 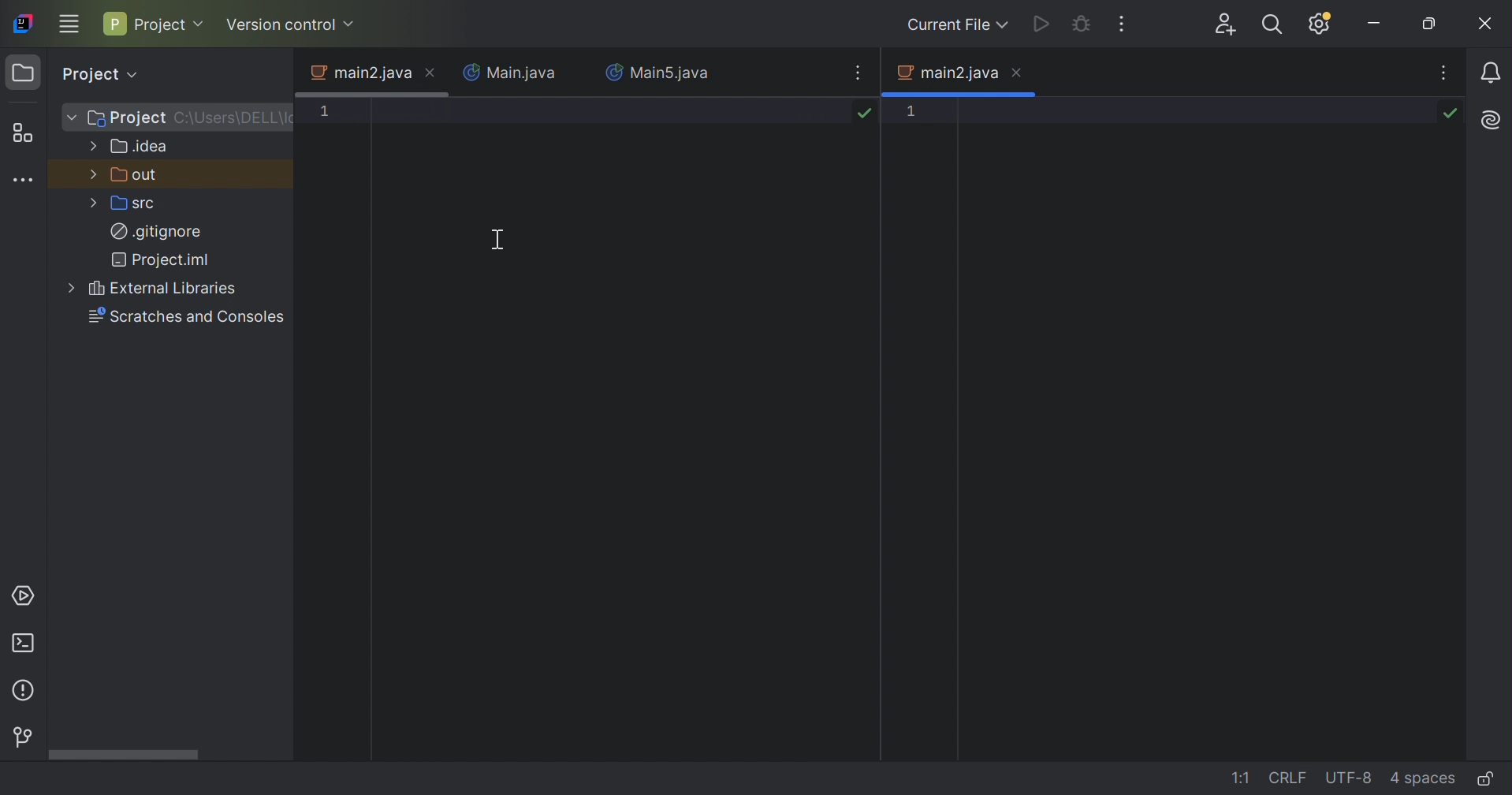 What do you see at coordinates (1445, 74) in the screenshot?
I see `Recent Files, tab actions, and more` at bounding box center [1445, 74].